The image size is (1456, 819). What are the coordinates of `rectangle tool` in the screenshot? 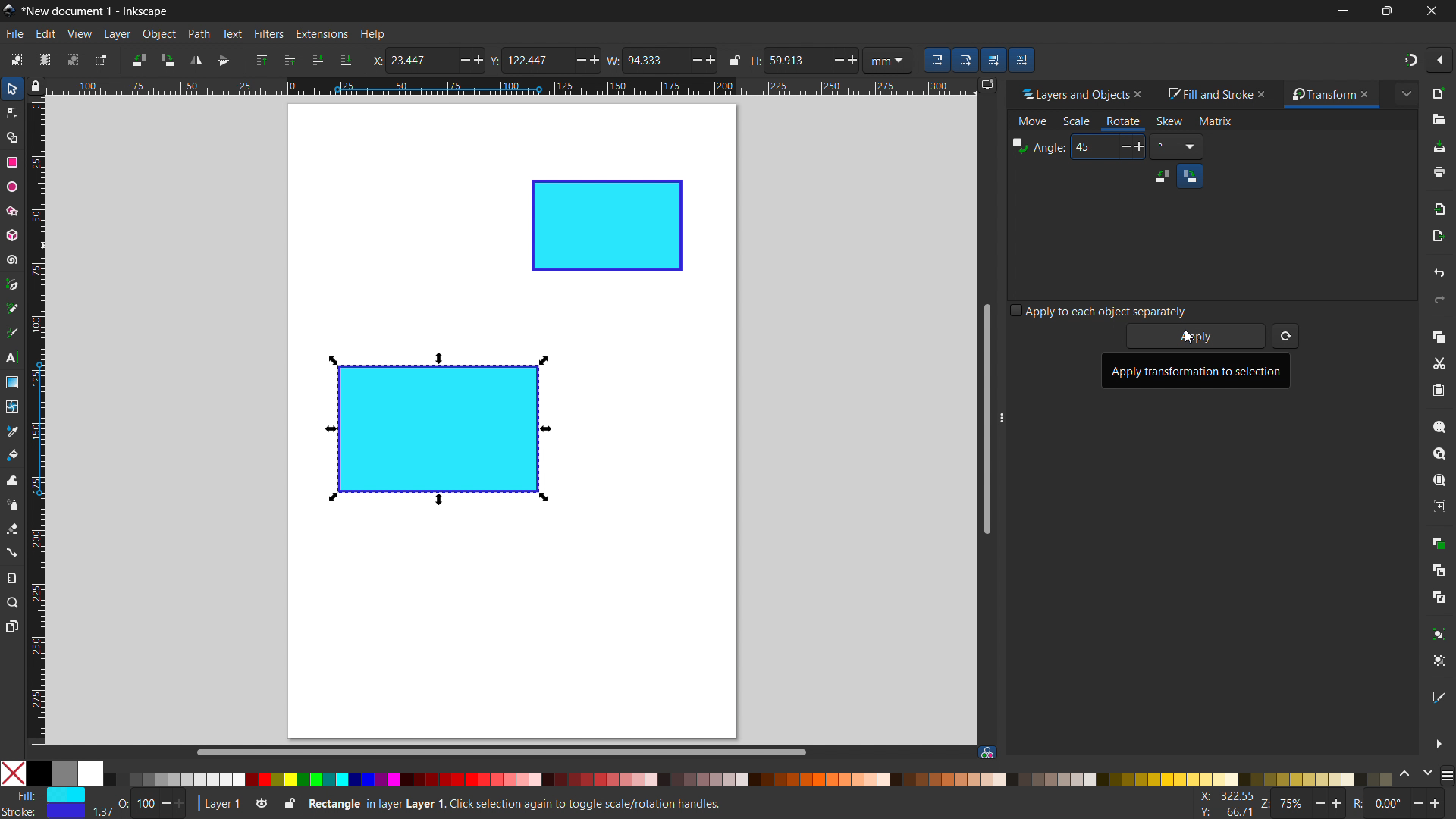 It's located at (12, 162).